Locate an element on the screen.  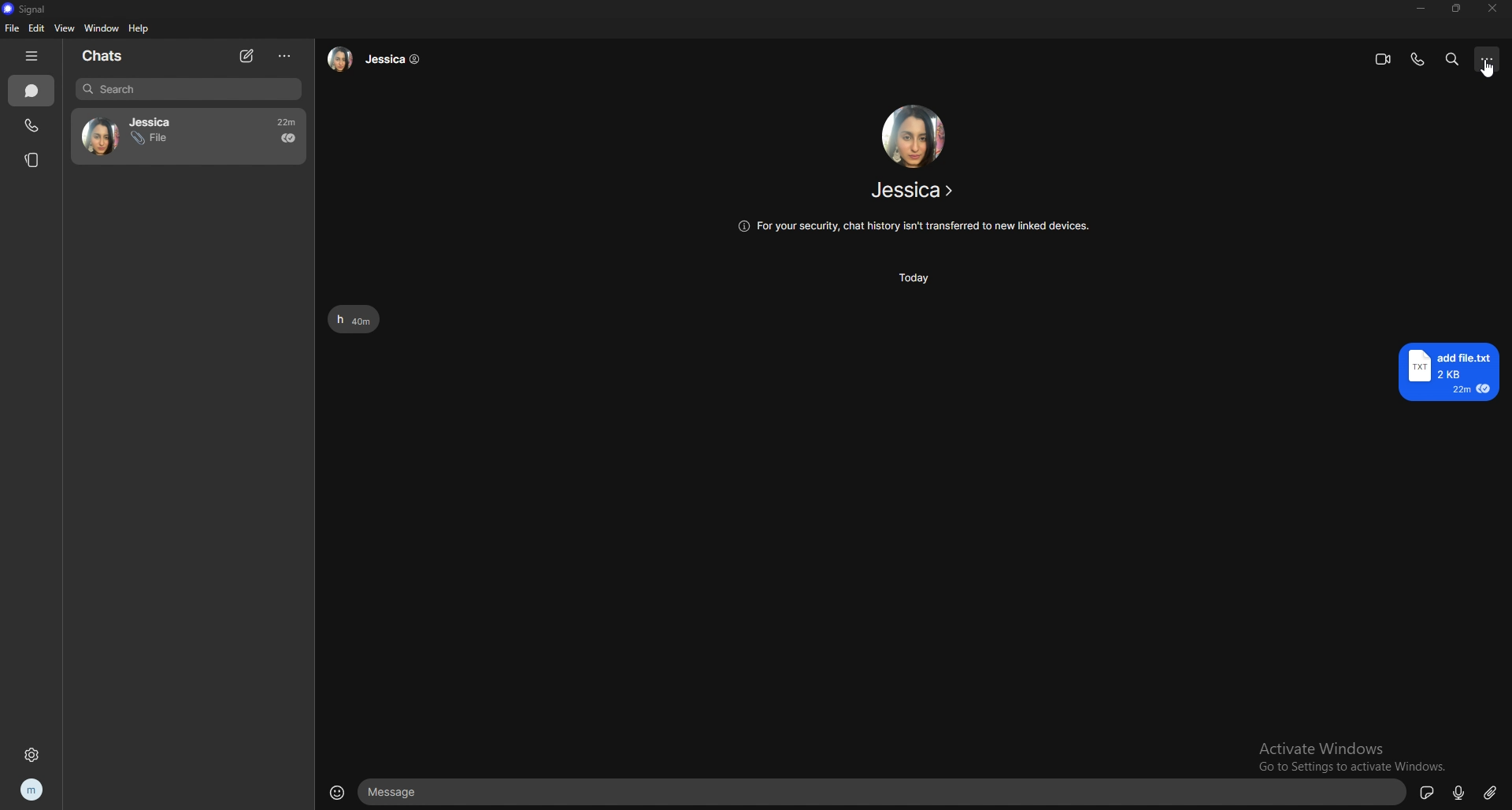
seen is located at coordinates (288, 138).